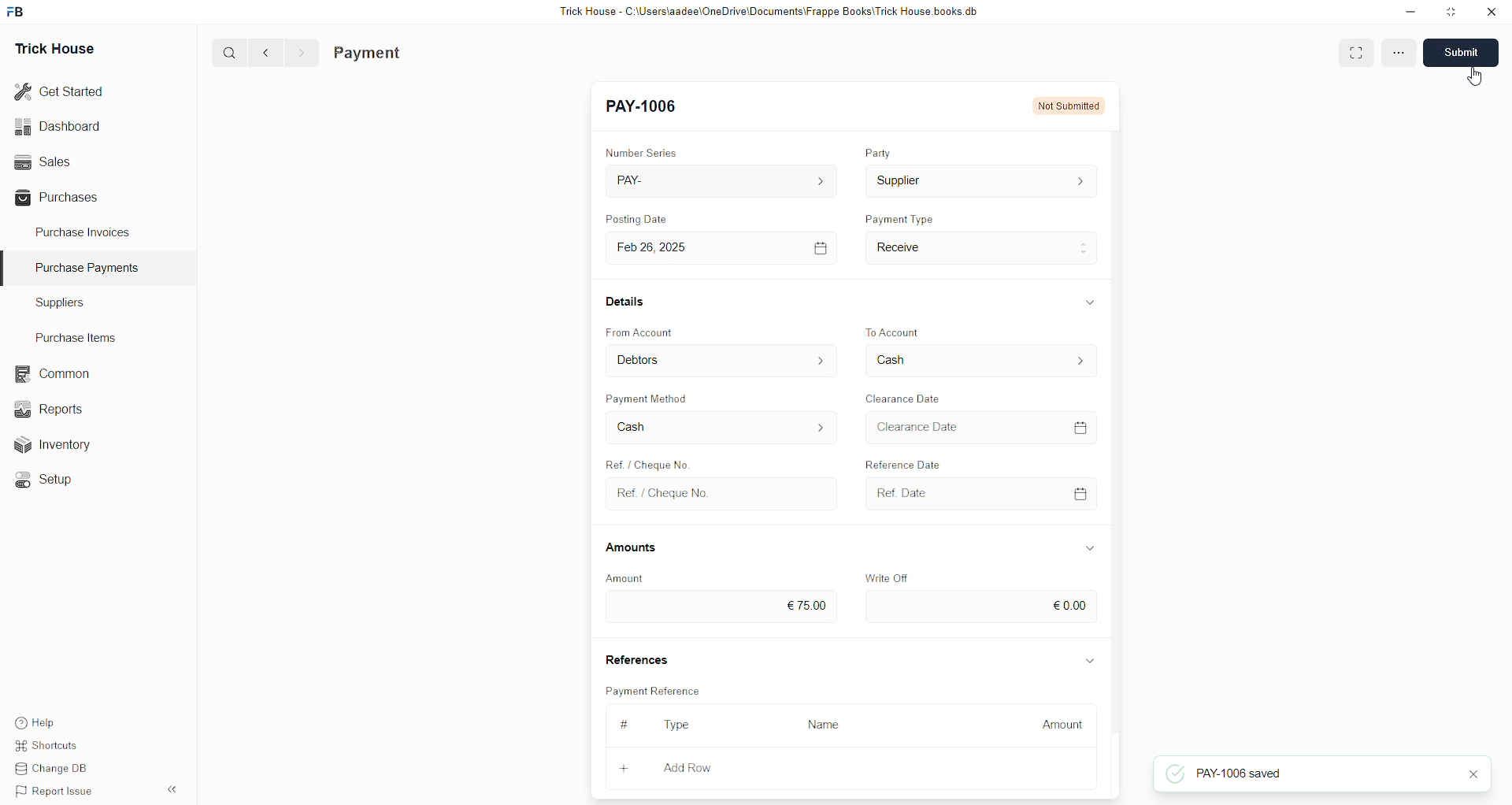 This screenshot has height=805, width=1512. Describe the element at coordinates (231, 53) in the screenshot. I see `search` at that location.